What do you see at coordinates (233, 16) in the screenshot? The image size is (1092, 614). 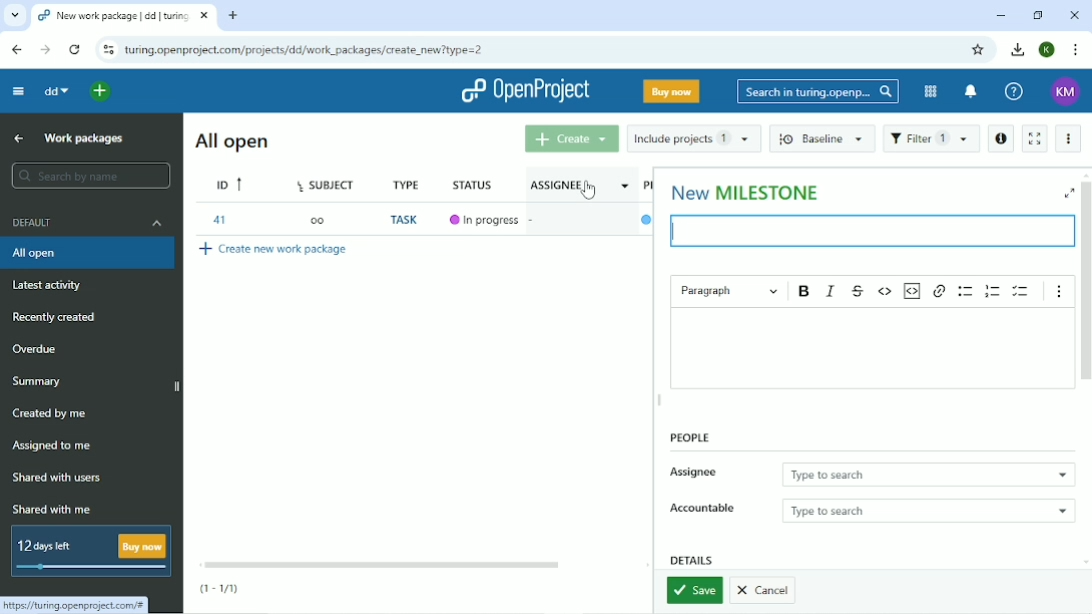 I see `New tab` at bounding box center [233, 16].